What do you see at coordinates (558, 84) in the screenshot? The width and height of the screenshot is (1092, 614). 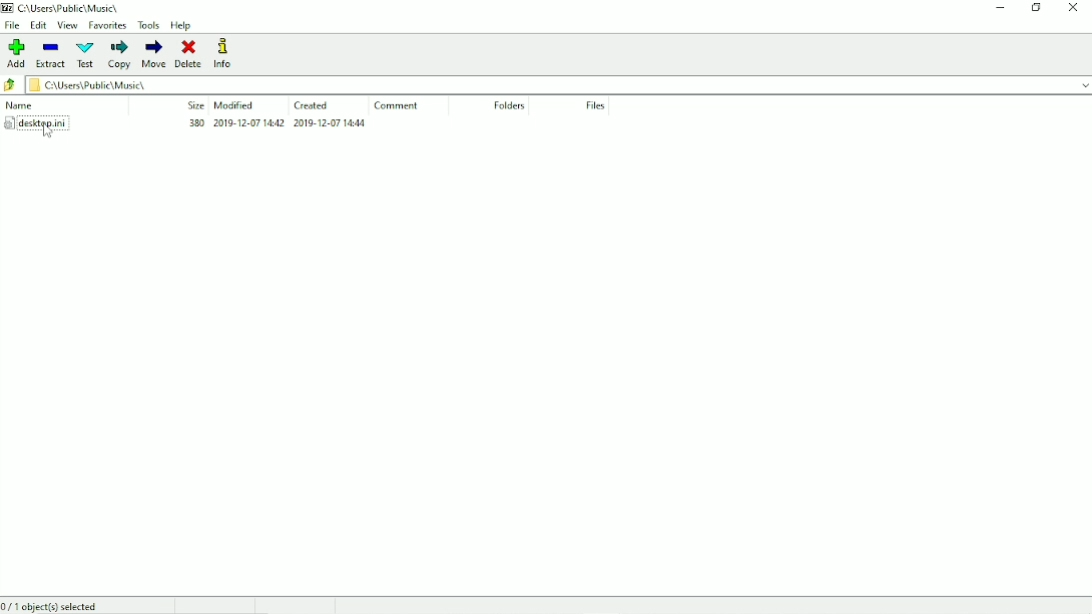 I see `File location` at bounding box center [558, 84].